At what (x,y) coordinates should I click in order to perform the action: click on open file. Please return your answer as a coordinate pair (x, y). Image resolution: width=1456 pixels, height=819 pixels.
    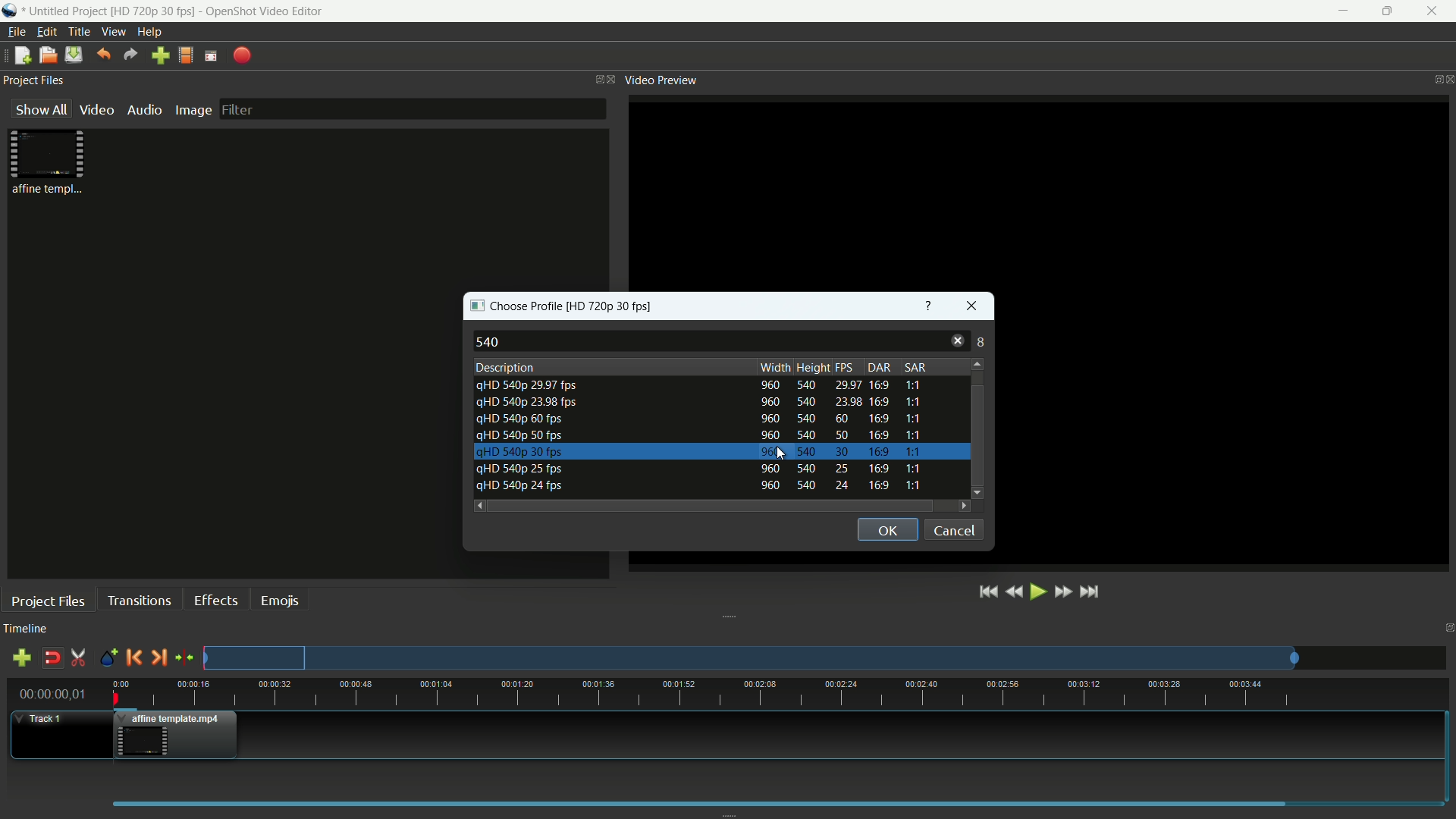
    Looking at the image, I should click on (46, 55).